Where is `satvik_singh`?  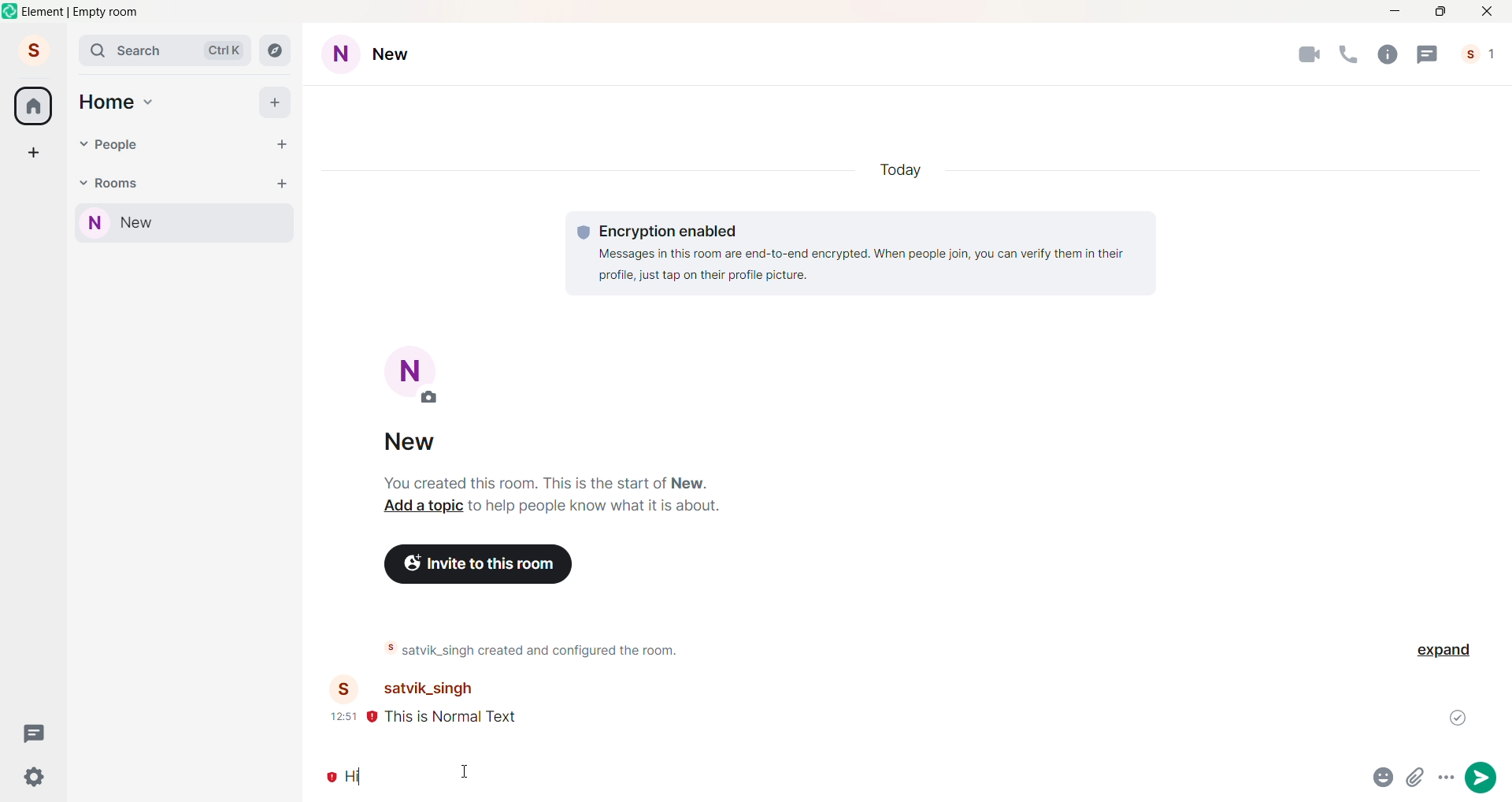 satvik_singh is located at coordinates (424, 689).